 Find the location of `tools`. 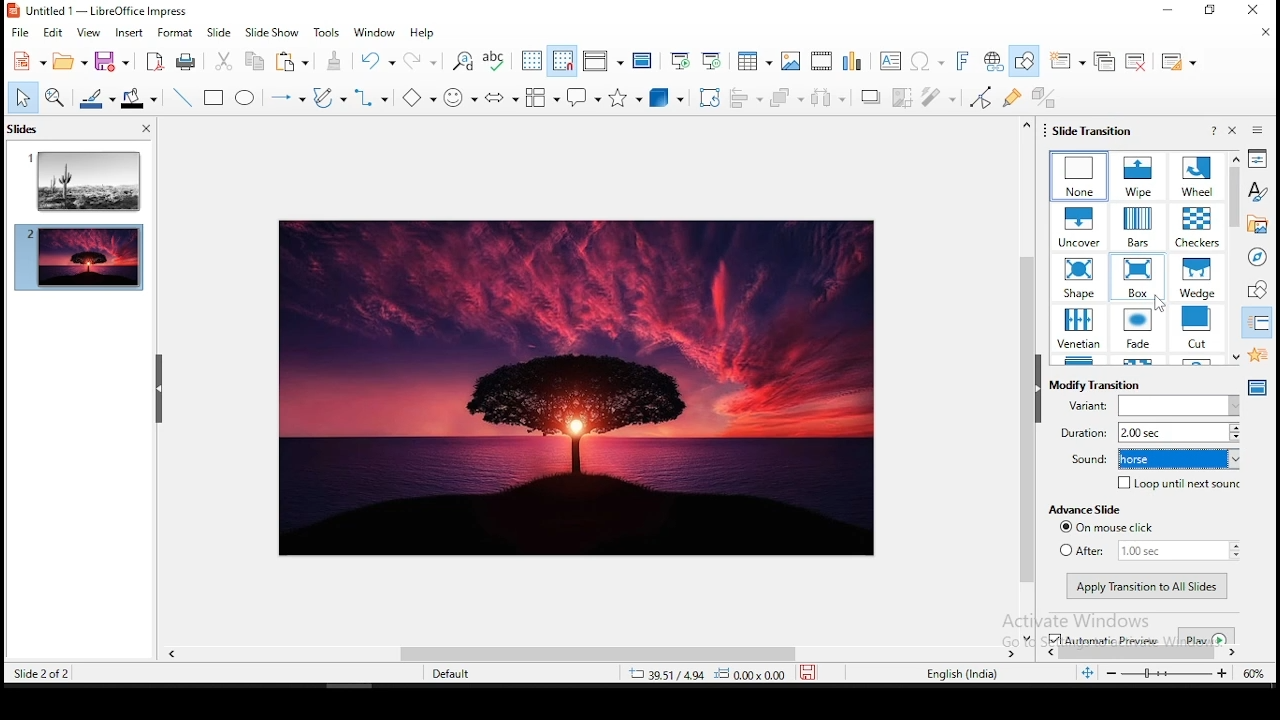

tools is located at coordinates (329, 31).